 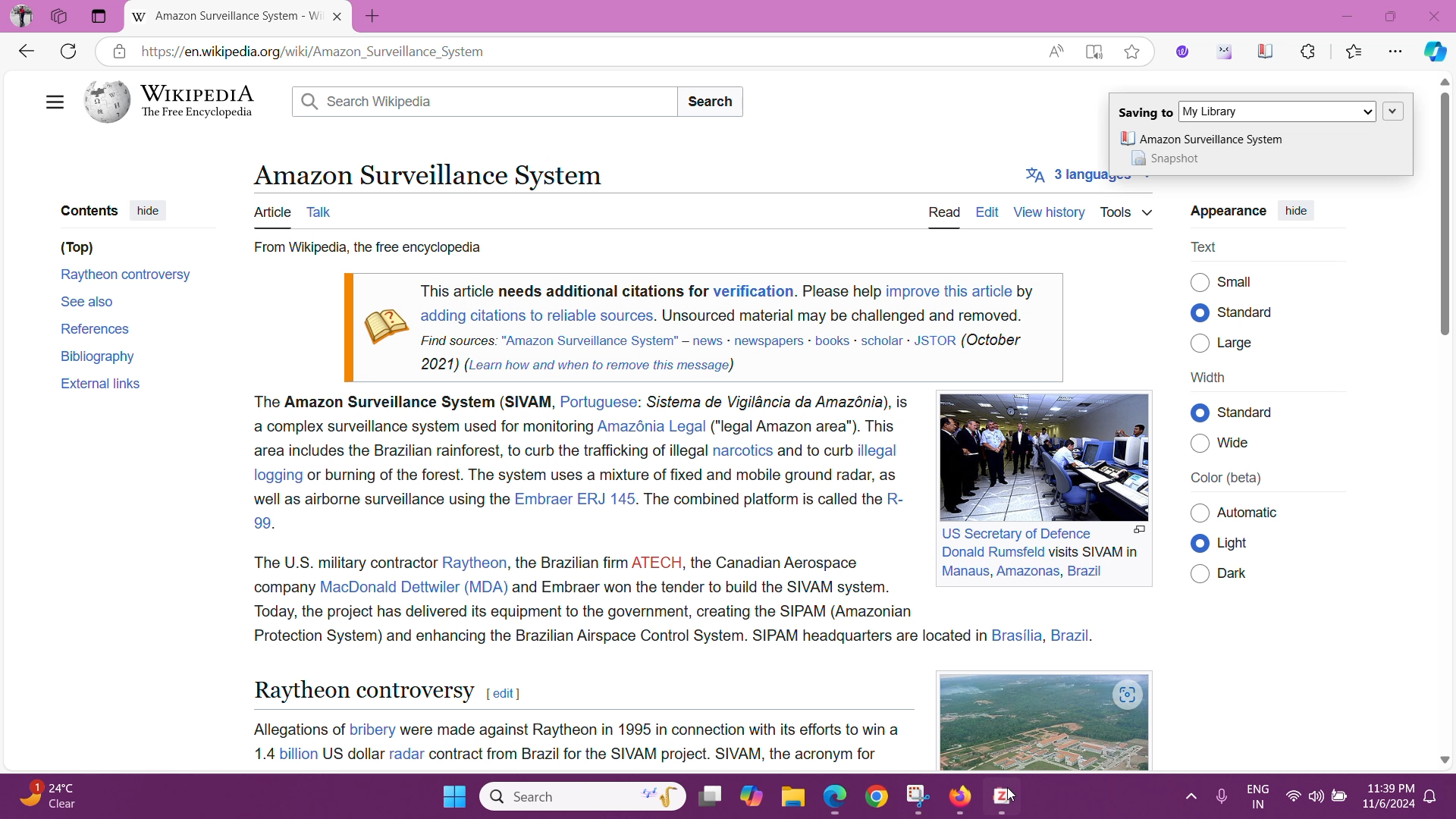 I want to click on Raytheon, so click(x=475, y=563).